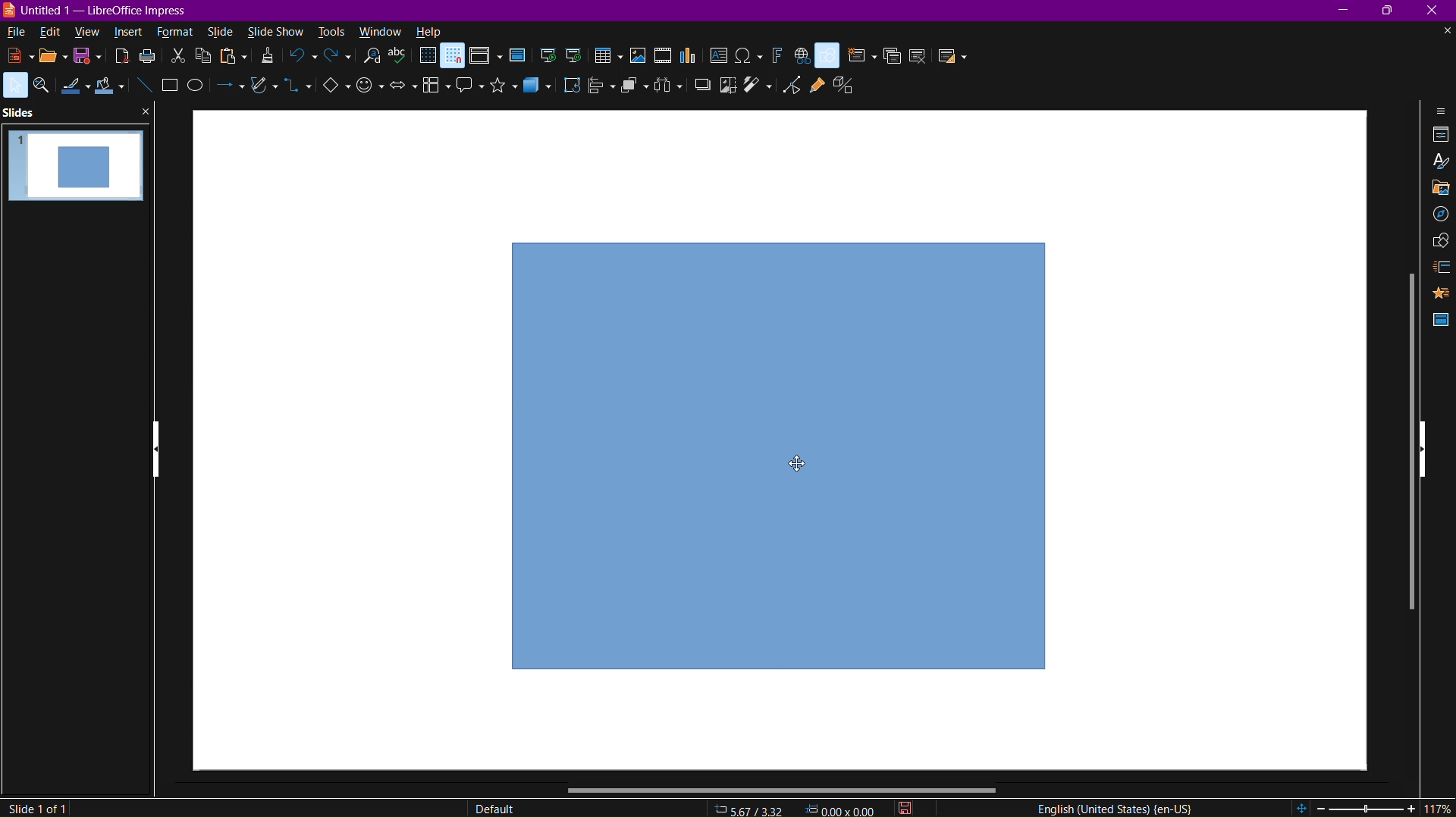 The width and height of the screenshot is (1456, 817). Describe the element at coordinates (891, 56) in the screenshot. I see `Duplicate Slide` at that location.